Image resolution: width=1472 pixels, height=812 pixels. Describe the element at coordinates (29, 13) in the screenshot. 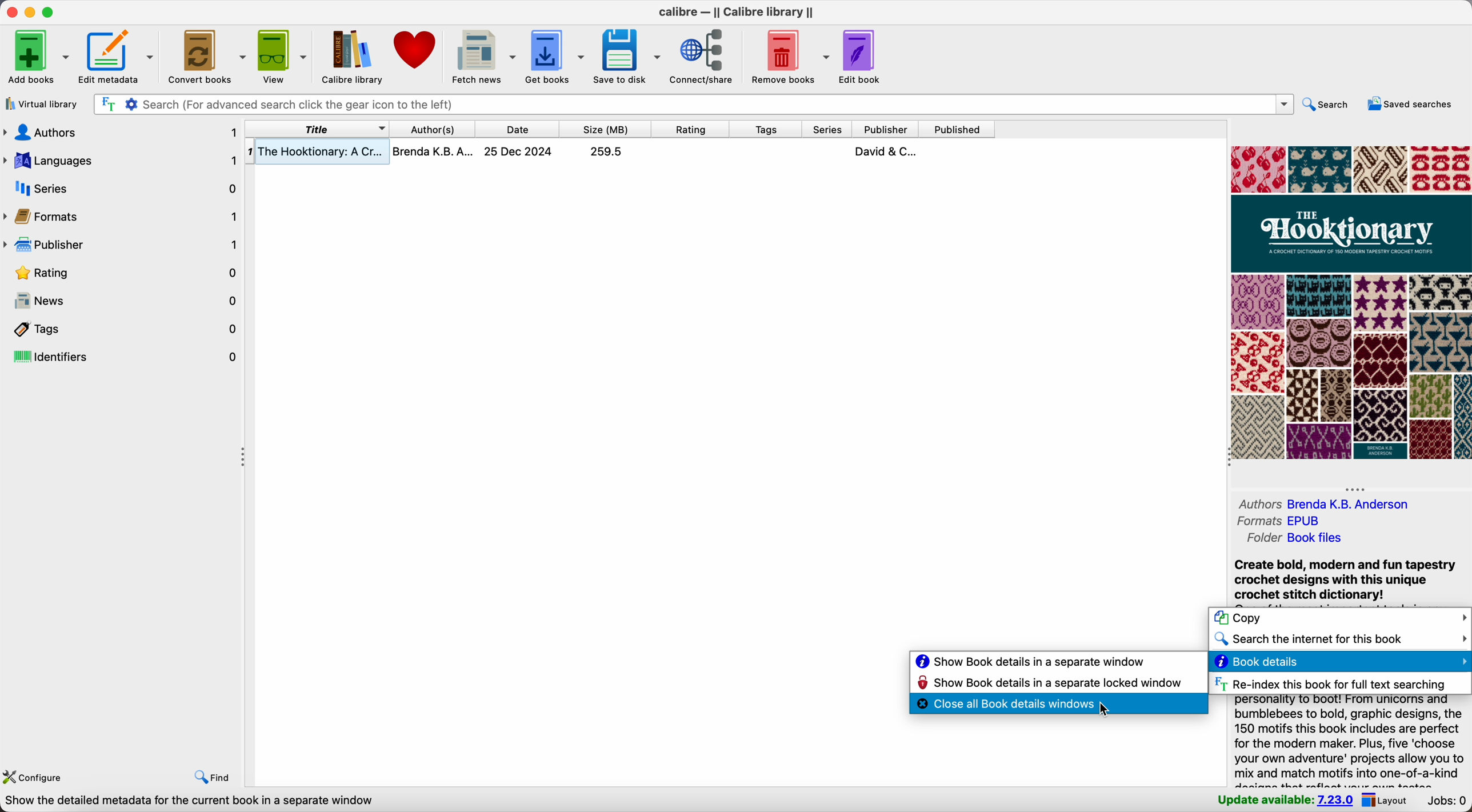

I see `minimize` at that location.